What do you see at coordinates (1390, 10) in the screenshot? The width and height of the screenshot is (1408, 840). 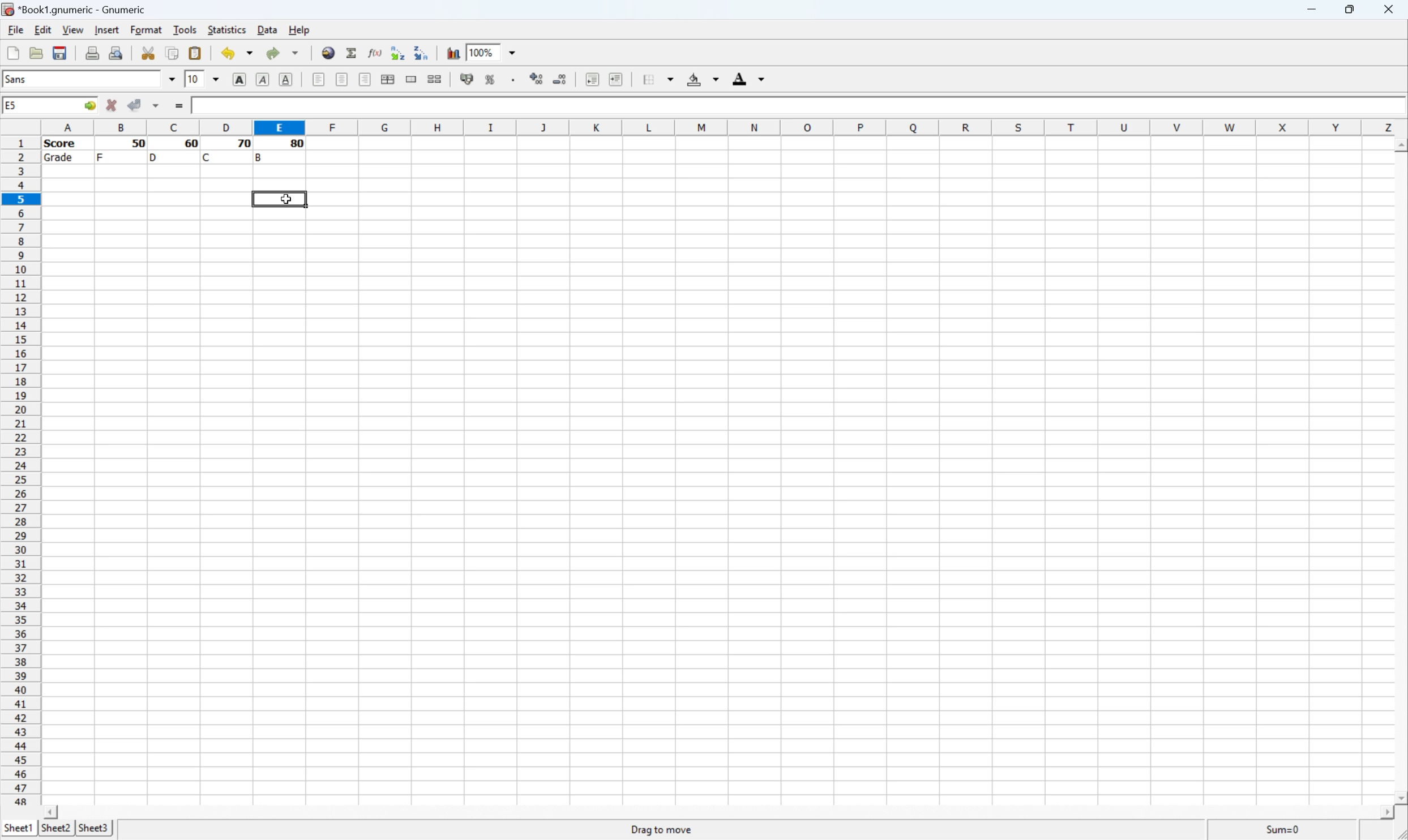 I see `Close` at bounding box center [1390, 10].